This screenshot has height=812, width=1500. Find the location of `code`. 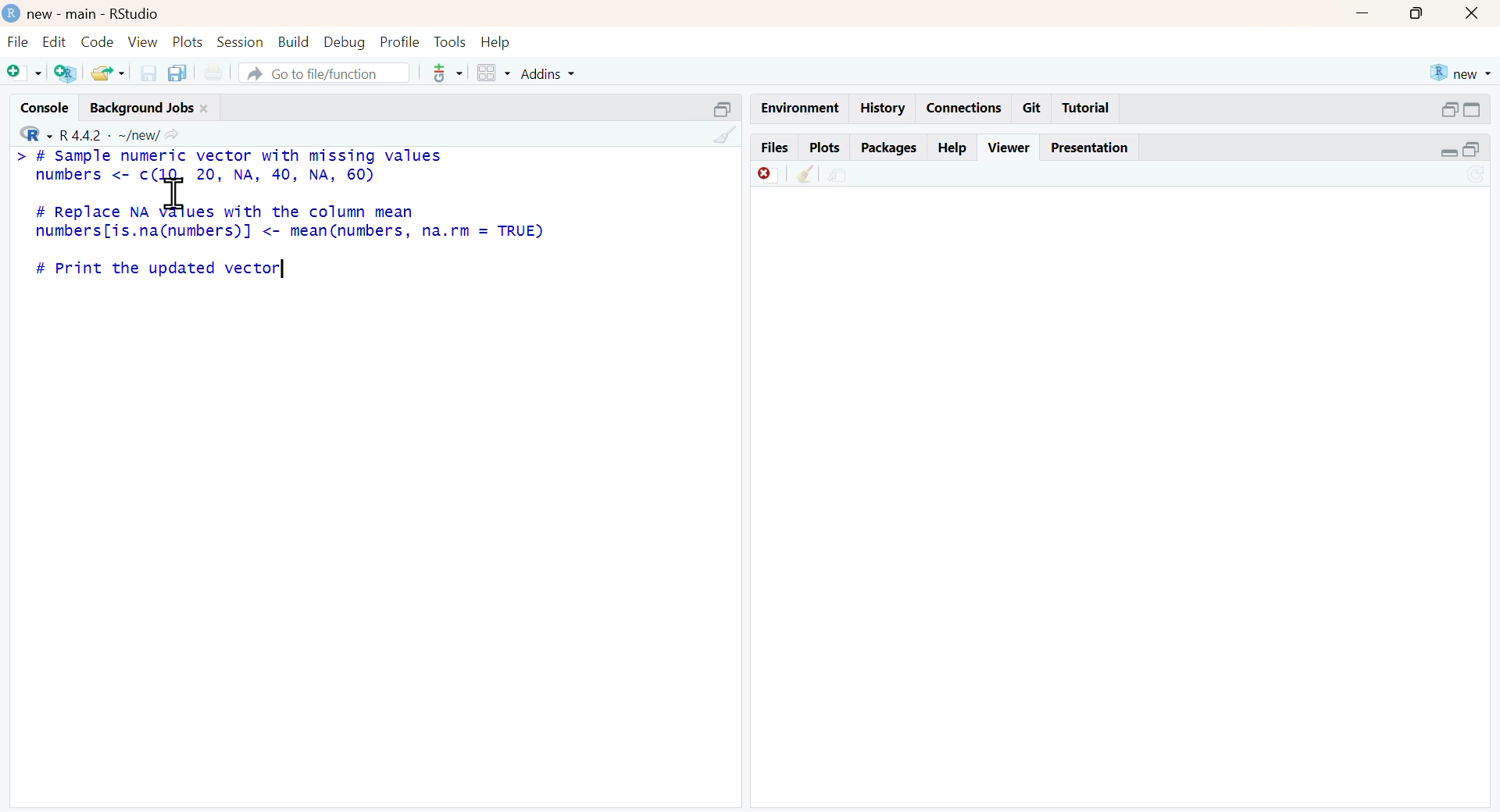

code is located at coordinates (98, 41).